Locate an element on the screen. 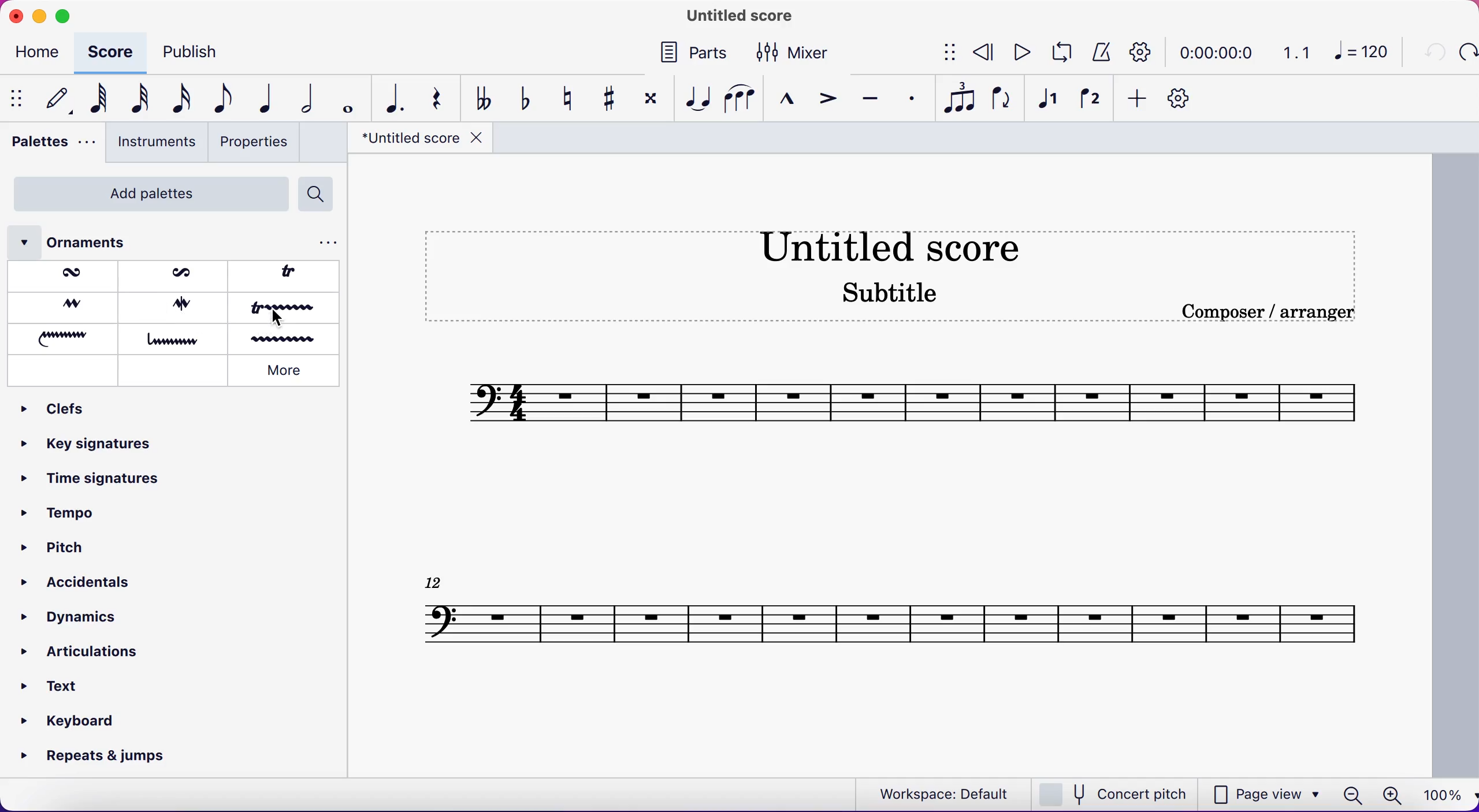 The height and width of the screenshot is (812, 1479). toggle flat is located at coordinates (523, 99).